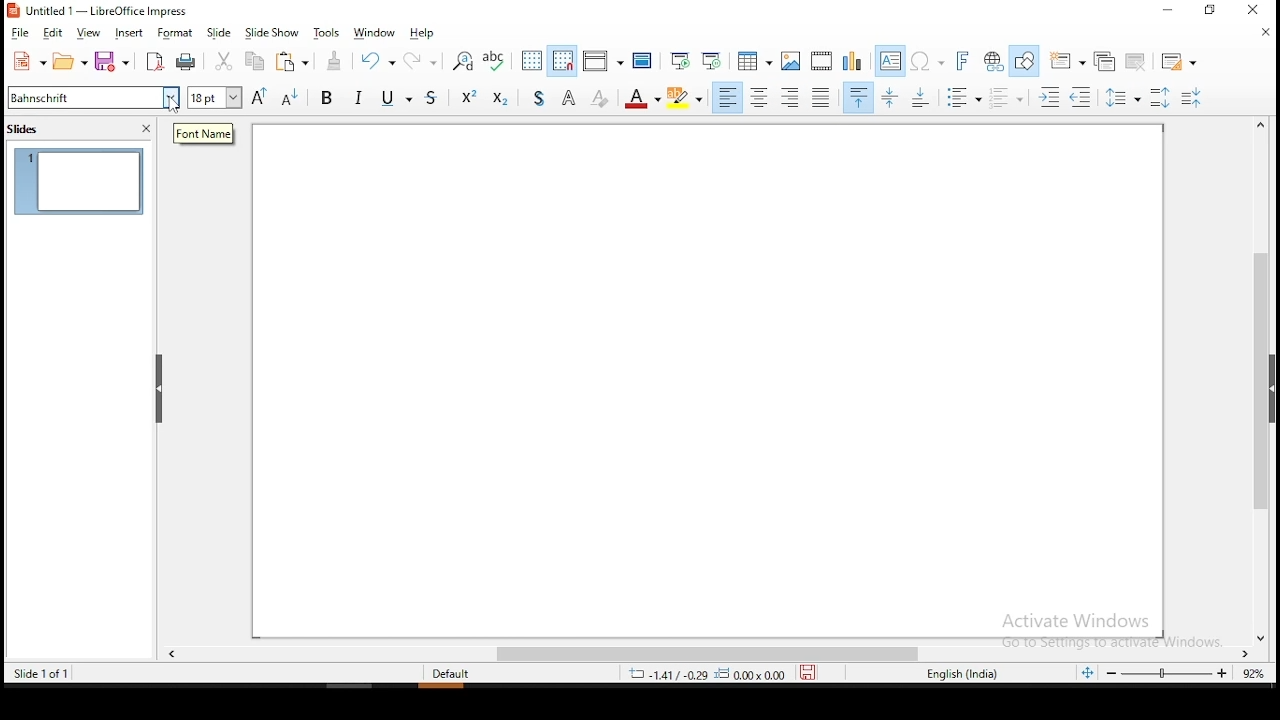 The height and width of the screenshot is (720, 1280). What do you see at coordinates (645, 99) in the screenshot?
I see `font color` at bounding box center [645, 99].